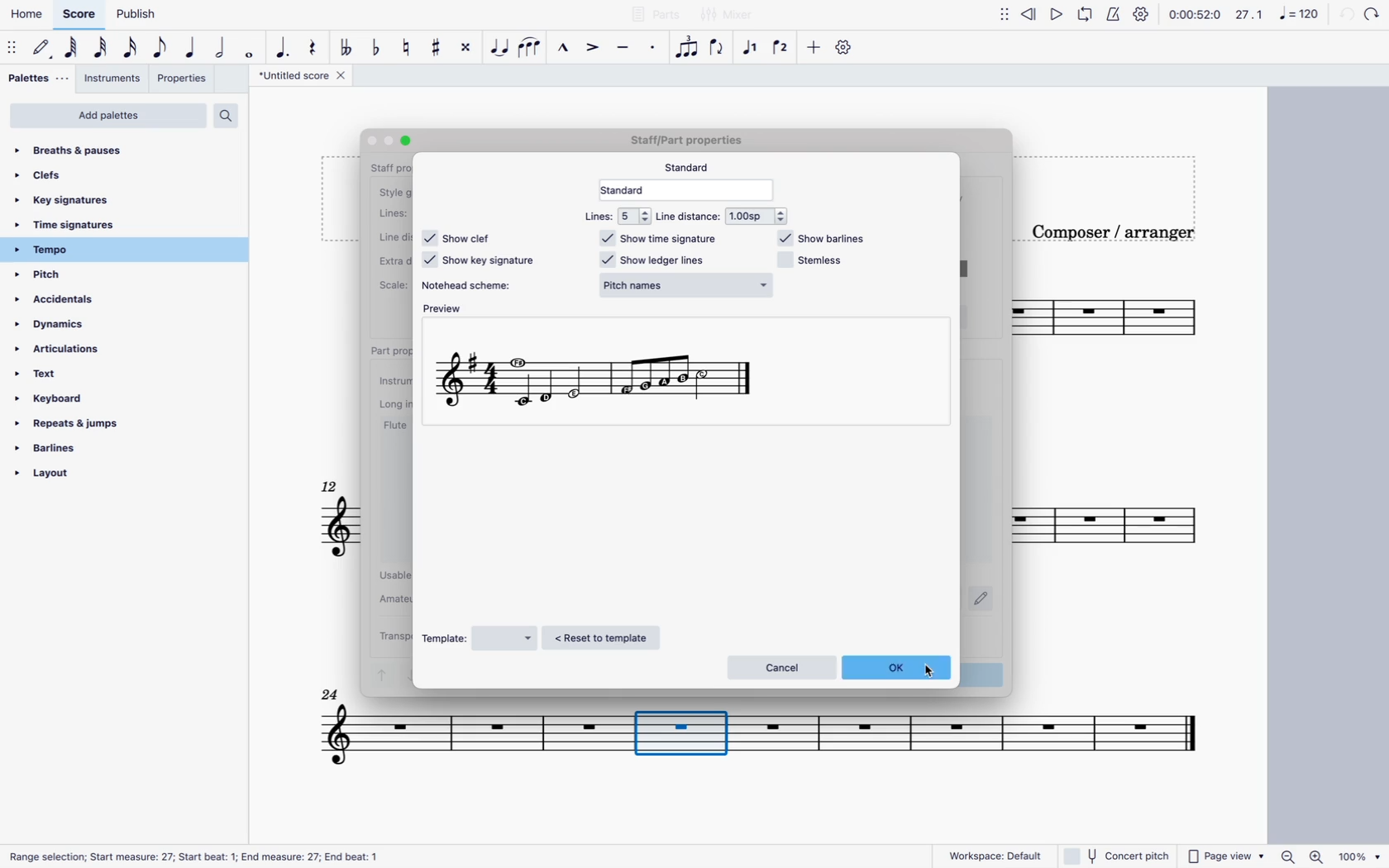  Describe the element at coordinates (60, 325) in the screenshot. I see `dynamics` at that location.